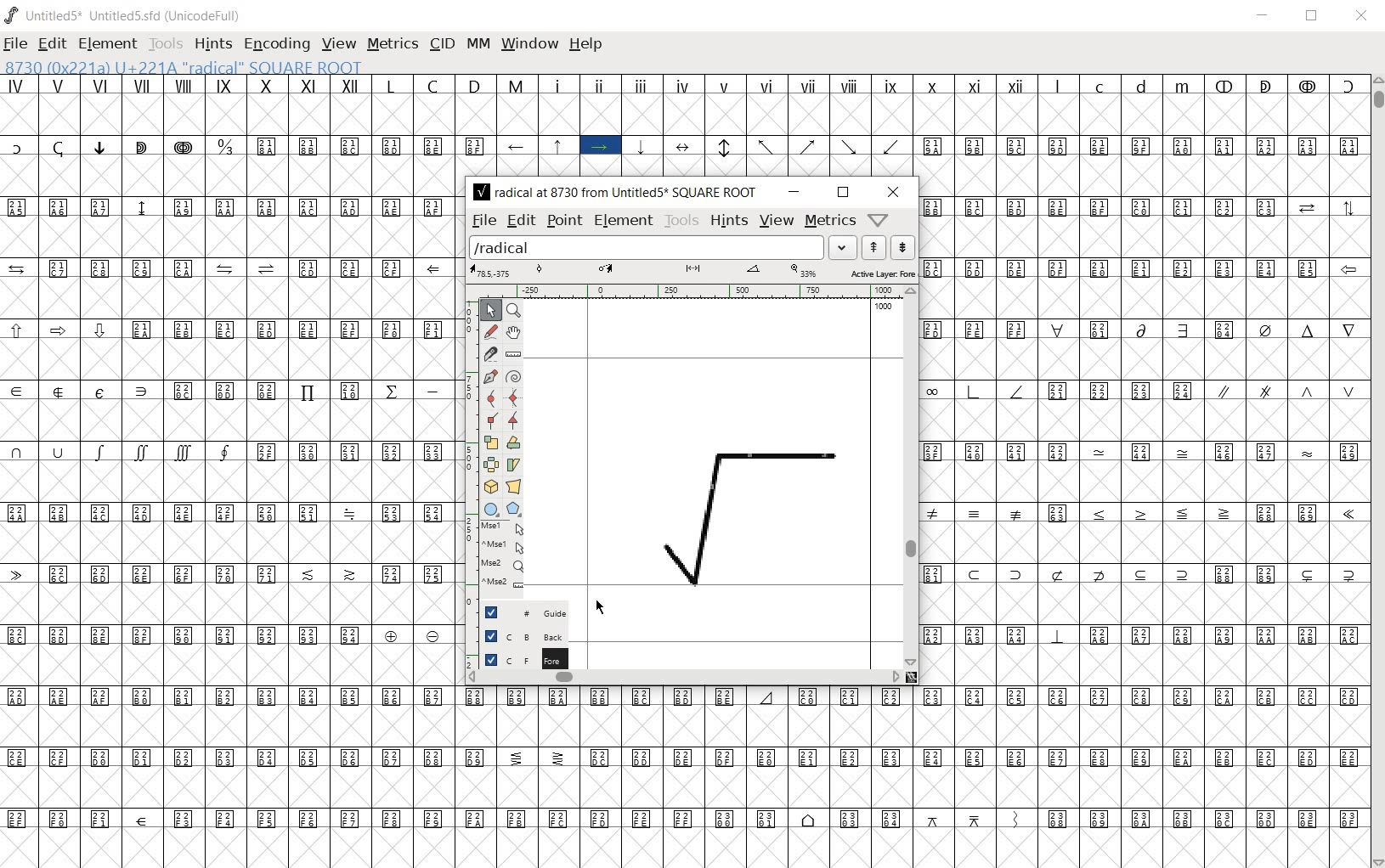  I want to click on HELP, so click(586, 45).